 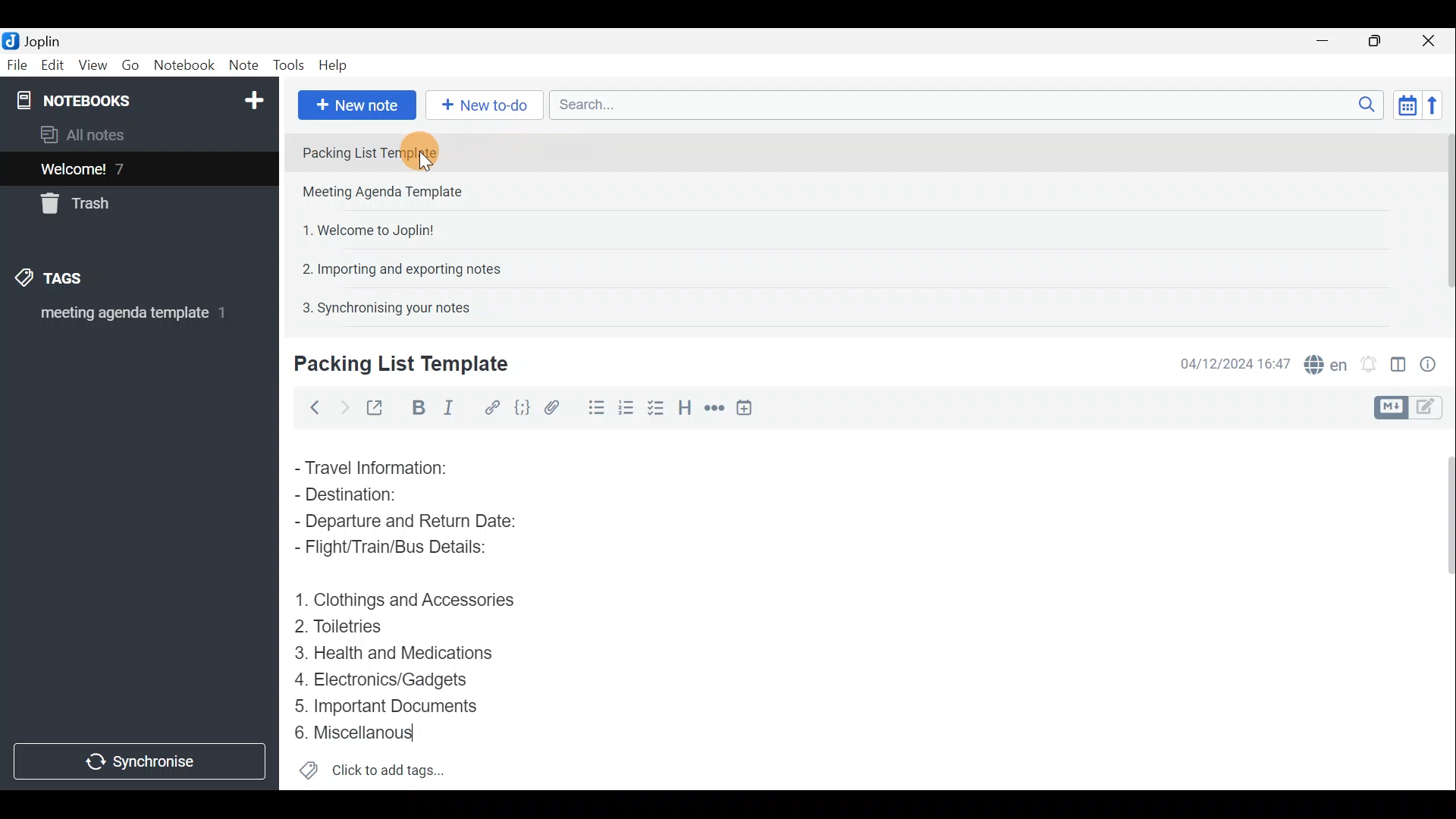 What do you see at coordinates (142, 764) in the screenshot?
I see `Synchronise` at bounding box center [142, 764].